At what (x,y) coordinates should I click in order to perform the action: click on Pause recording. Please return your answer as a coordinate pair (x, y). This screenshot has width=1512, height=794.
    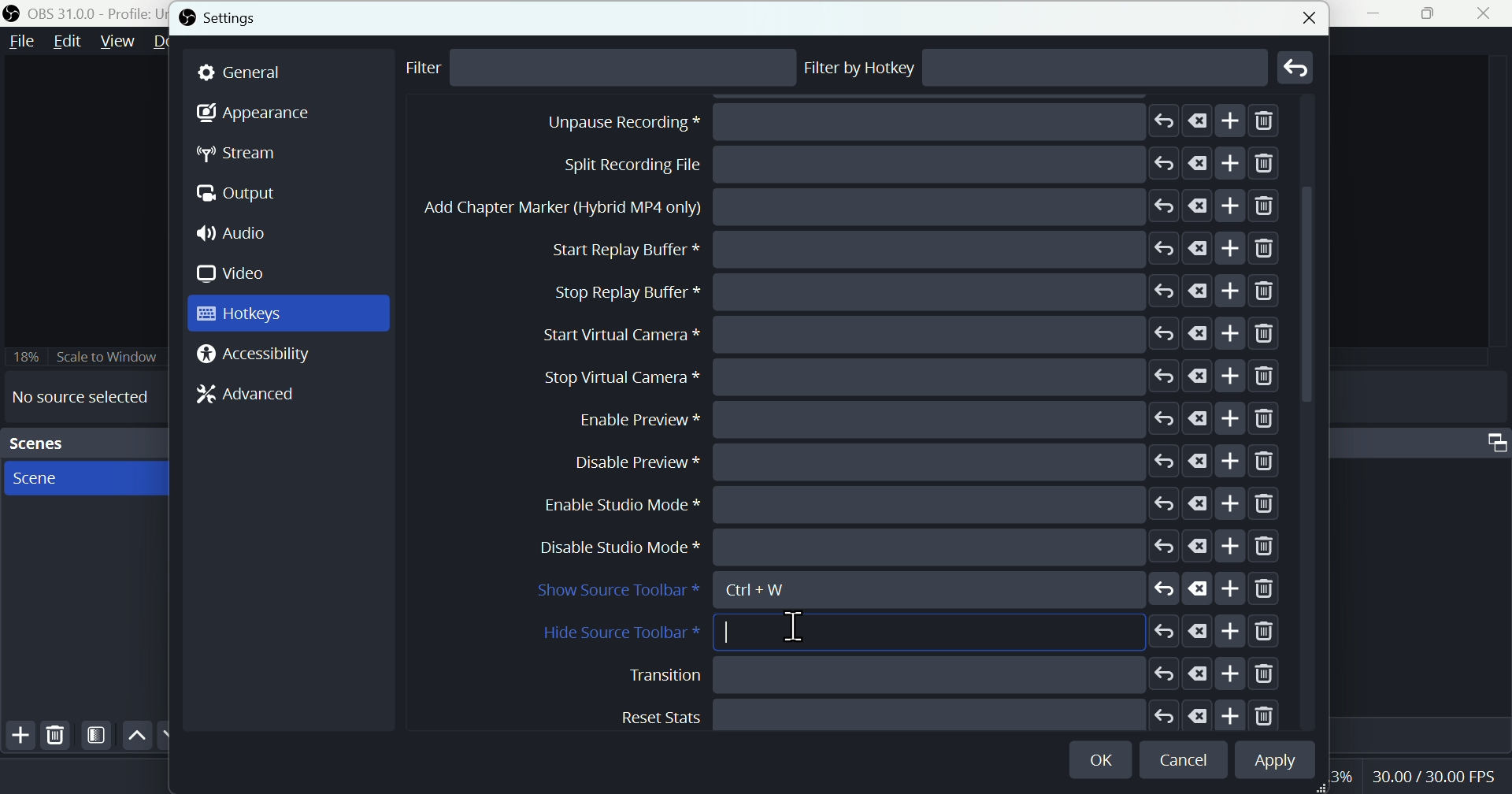
    Looking at the image, I should click on (905, 249).